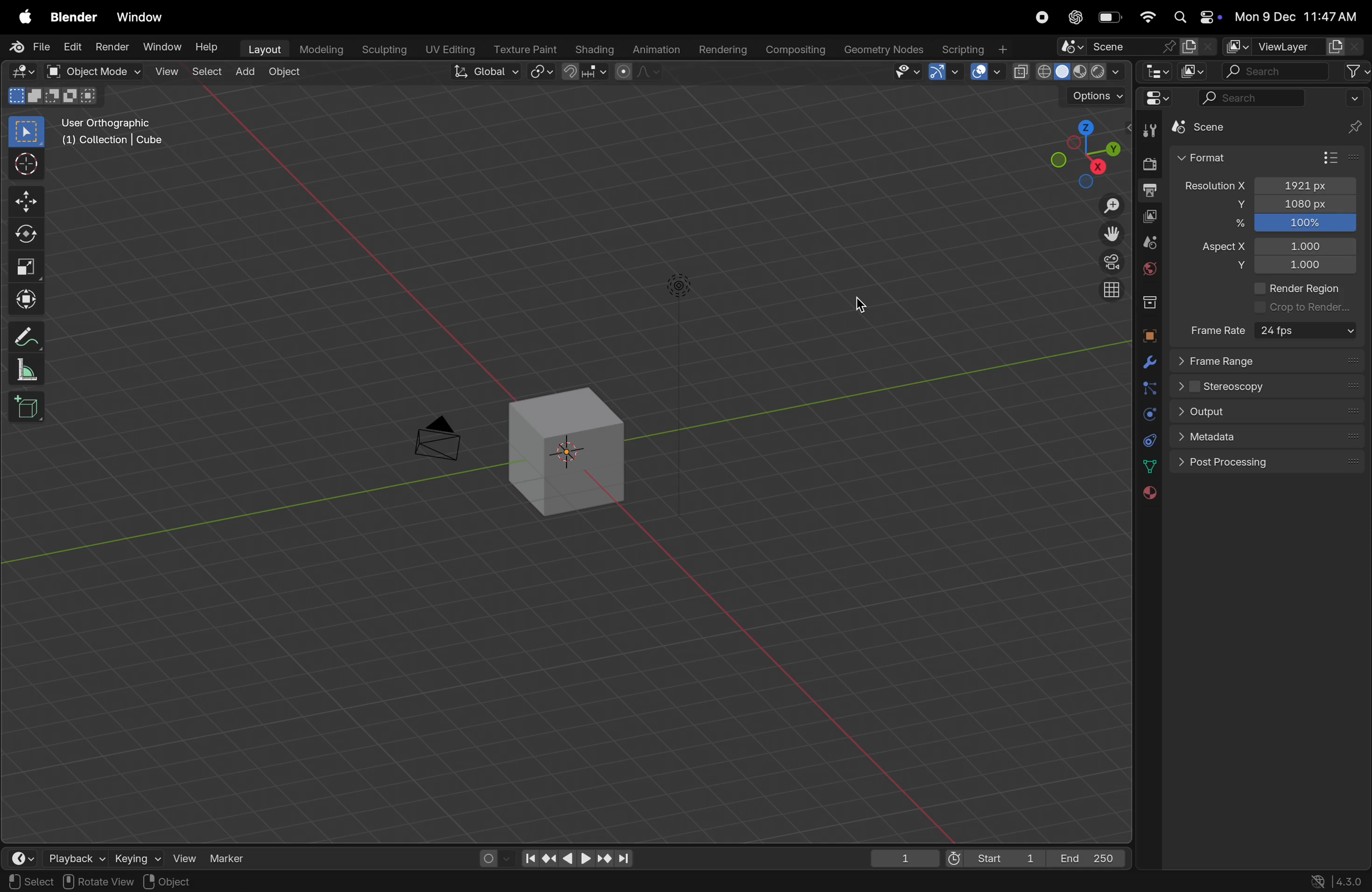 The width and height of the screenshot is (1372, 892). What do you see at coordinates (1150, 131) in the screenshot?
I see `tool` at bounding box center [1150, 131].